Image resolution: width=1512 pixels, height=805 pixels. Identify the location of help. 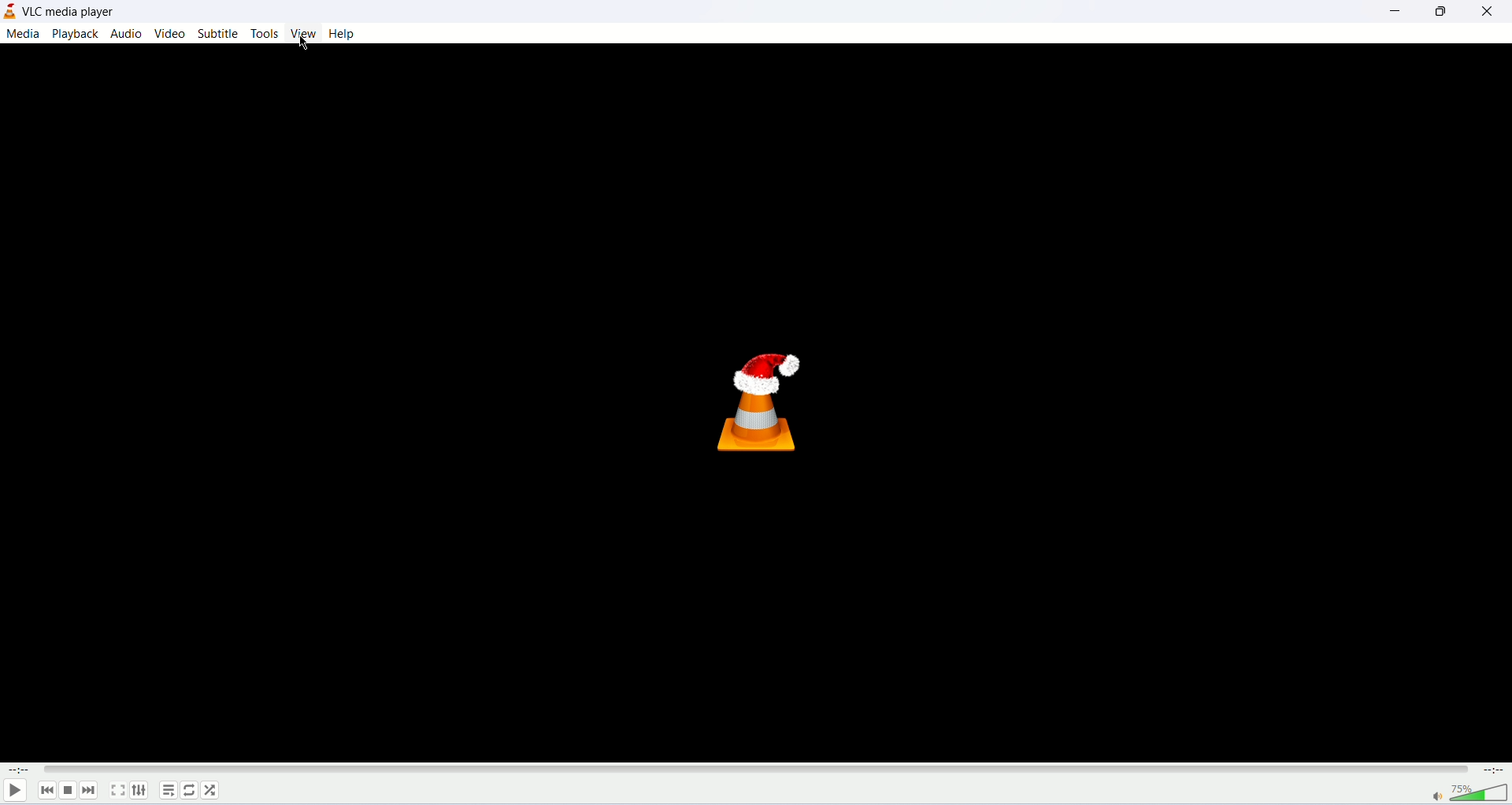
(342, 34).